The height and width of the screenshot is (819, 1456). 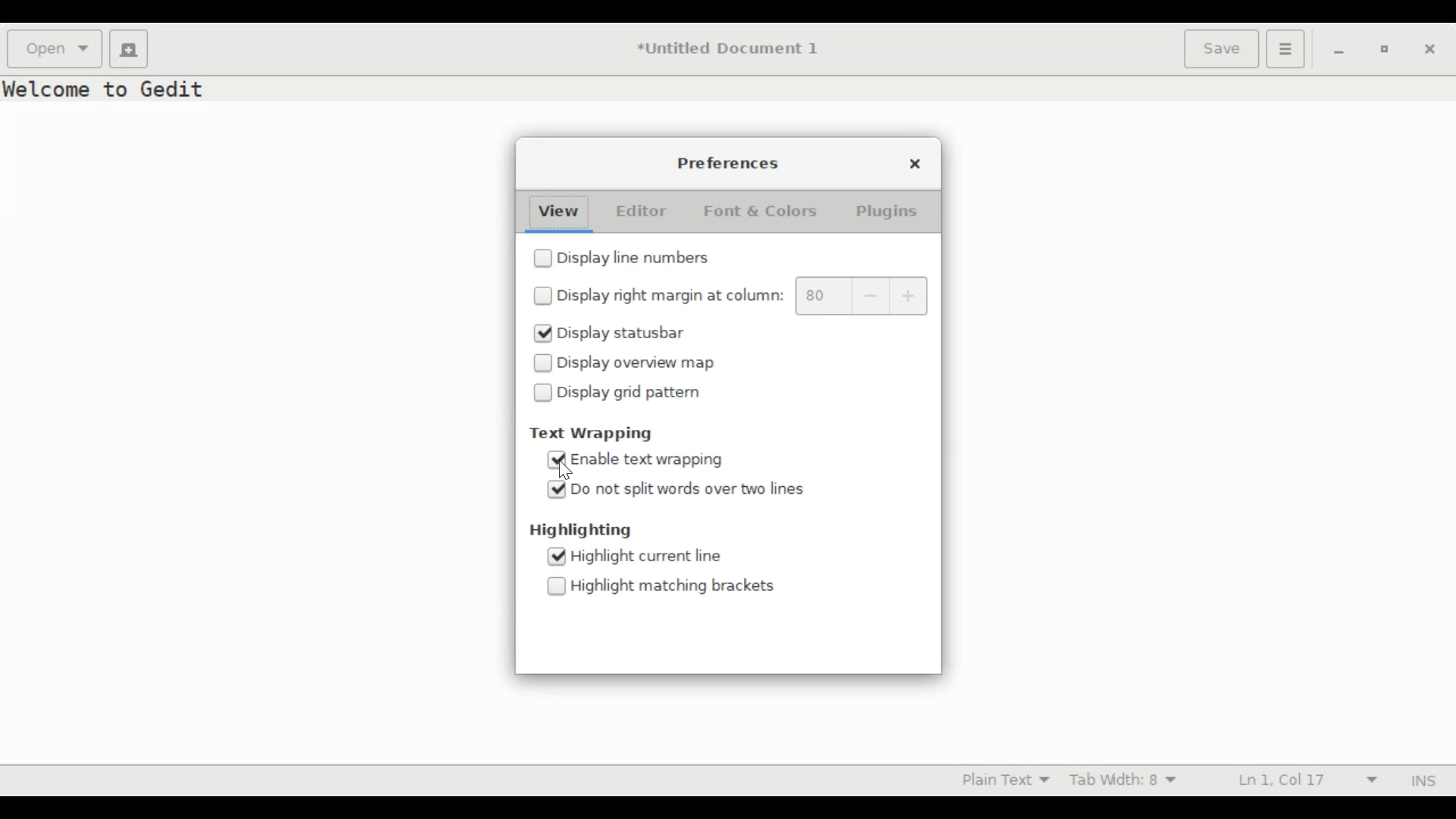 I want to click on Preferences, so click(x=730, y=164).